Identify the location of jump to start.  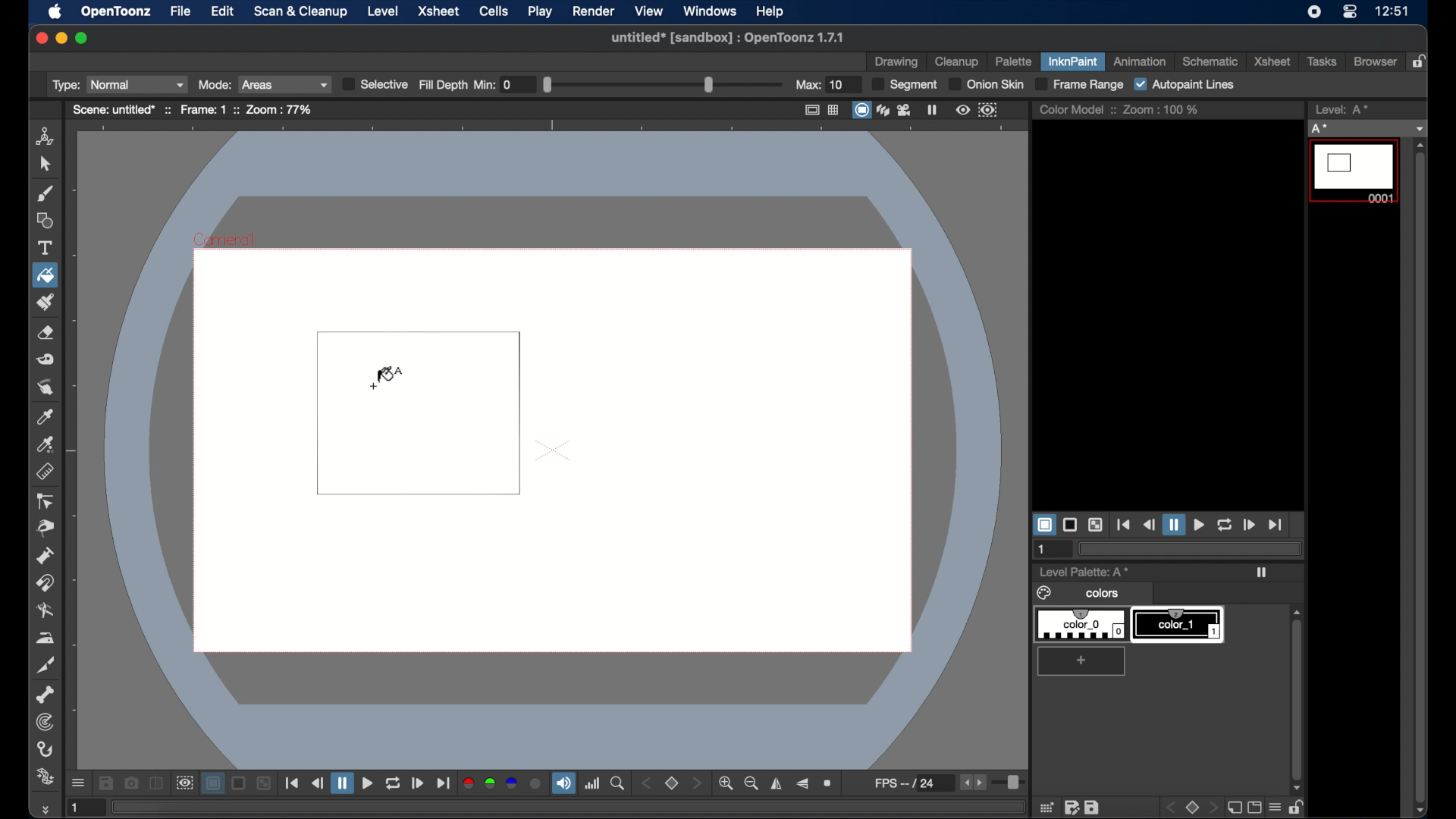
(1124, 525).